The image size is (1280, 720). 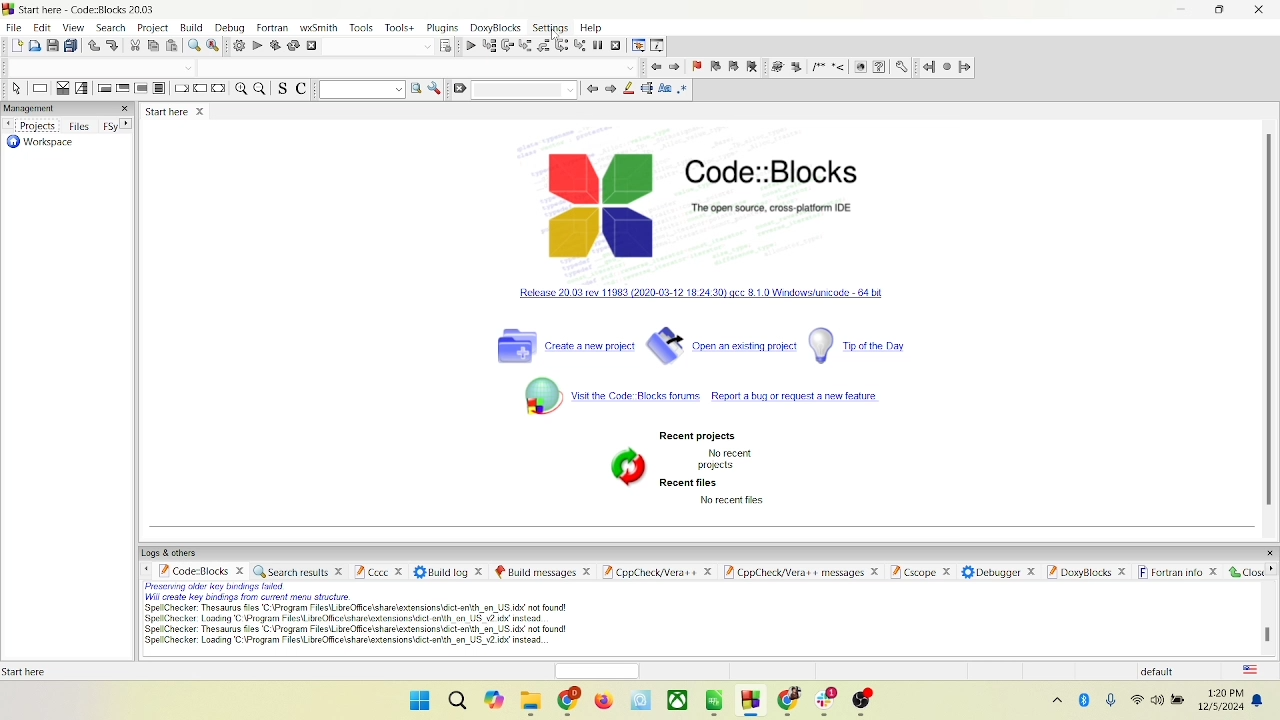 What do you see at coordinates (124, 89) in the screenshot?
I see `exit condition loop` at bounding box center [124, 89].